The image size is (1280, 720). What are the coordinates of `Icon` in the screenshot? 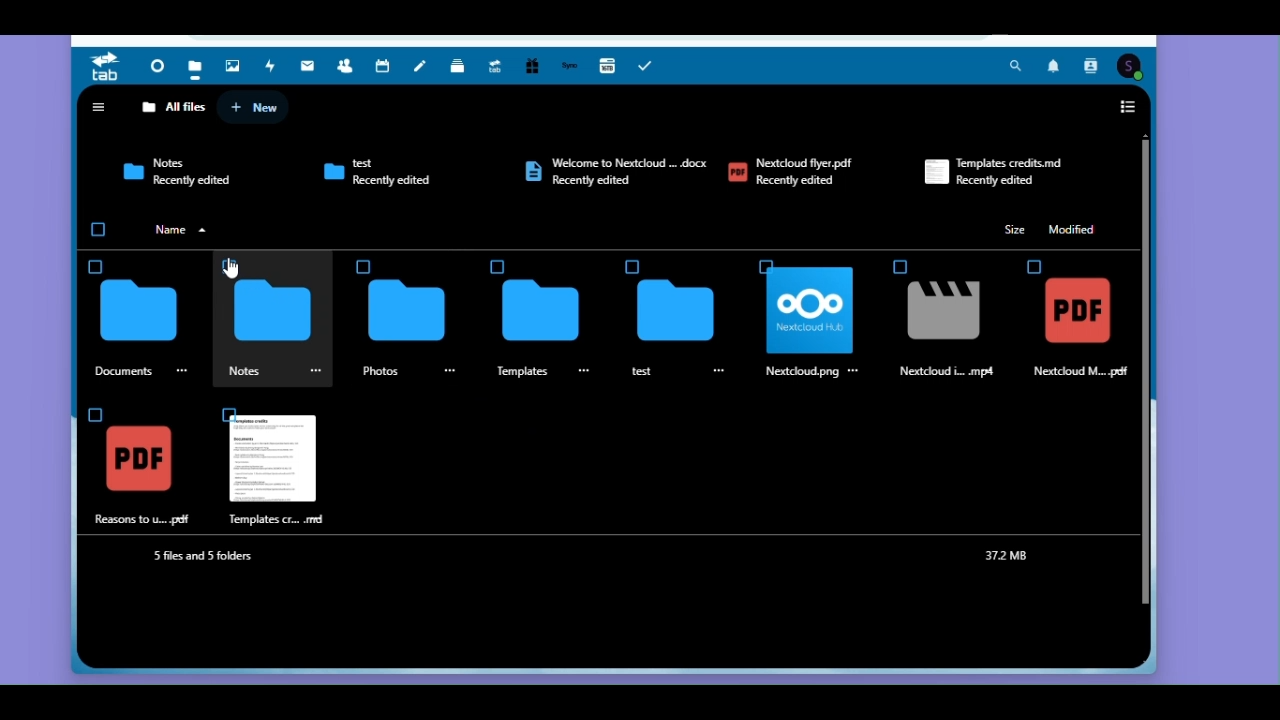 It's located at (330, 170).